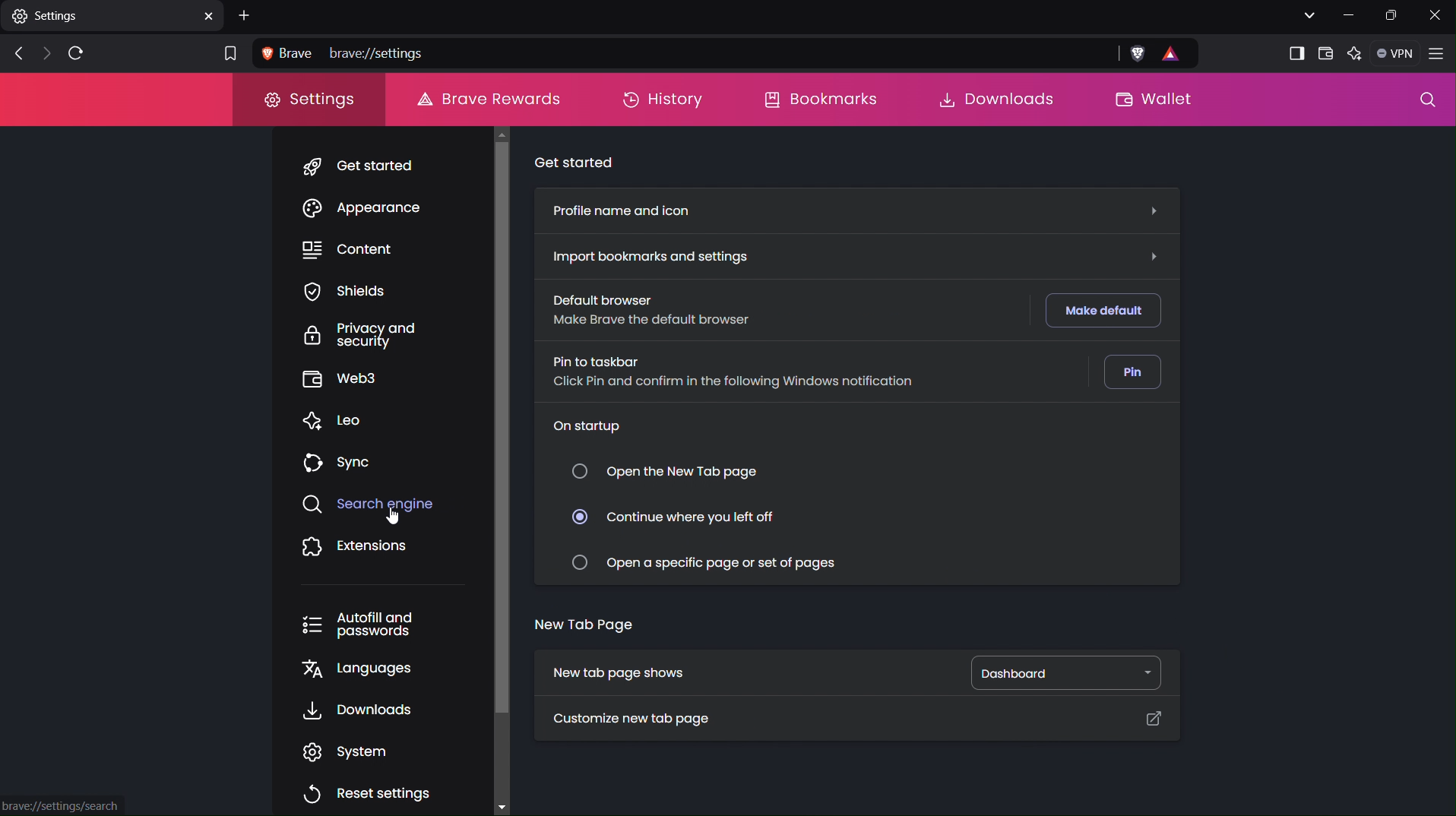 This screenshot has width=1456, height=816. Describe the element at coordinates (626, 209) in the screenshot. I see `Profile name and icon` at that location.